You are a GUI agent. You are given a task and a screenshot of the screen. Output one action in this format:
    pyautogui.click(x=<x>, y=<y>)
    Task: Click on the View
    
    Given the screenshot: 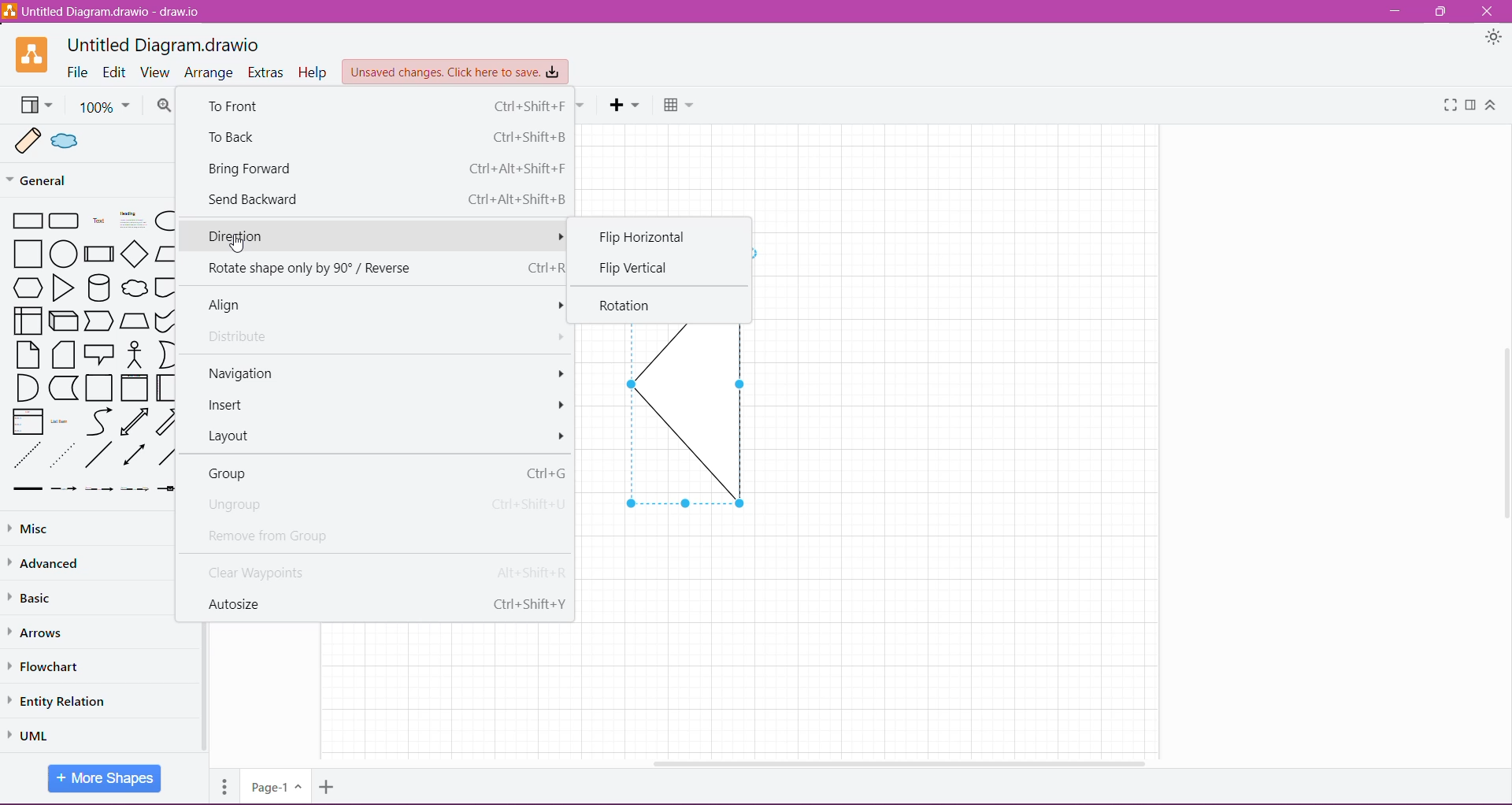 What is the action you would take?
    pyautogui.click(x=35, y=106)
    